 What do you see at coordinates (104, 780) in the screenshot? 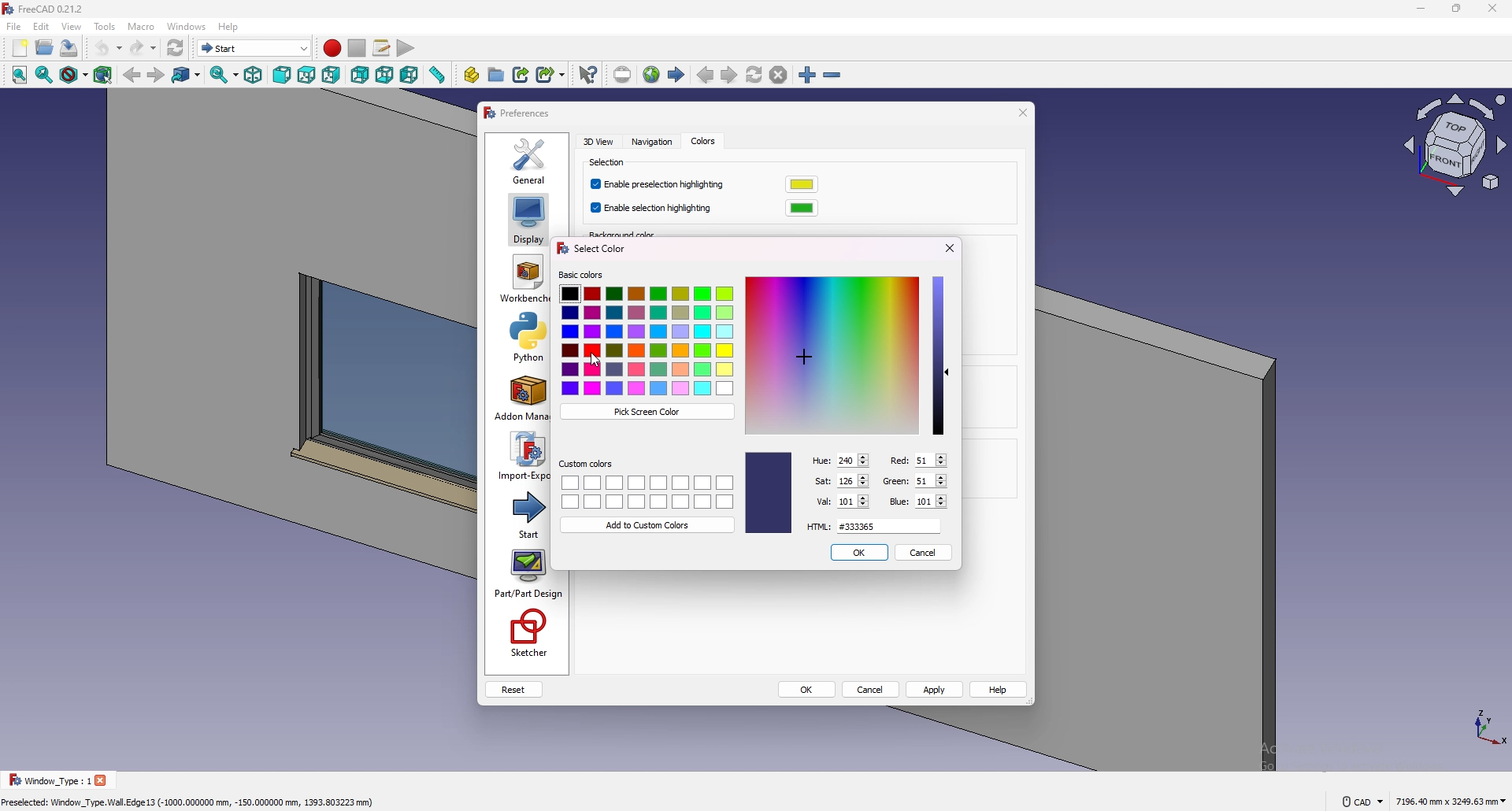
I see `close` at bounding box center [104, 780].